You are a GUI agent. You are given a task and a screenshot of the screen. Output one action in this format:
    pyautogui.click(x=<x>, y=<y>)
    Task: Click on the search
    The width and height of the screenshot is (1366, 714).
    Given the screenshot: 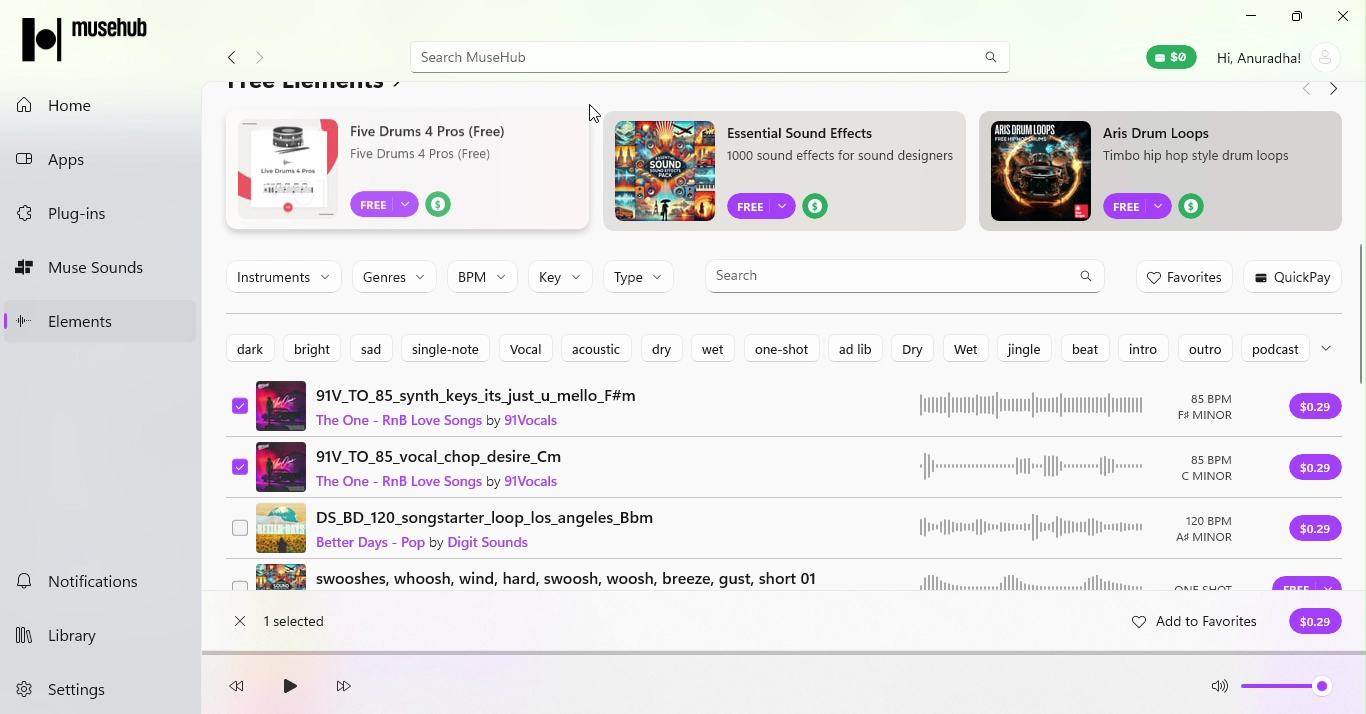 What is the action you would take?
    pyautogui.click(x=991, y=56)
    